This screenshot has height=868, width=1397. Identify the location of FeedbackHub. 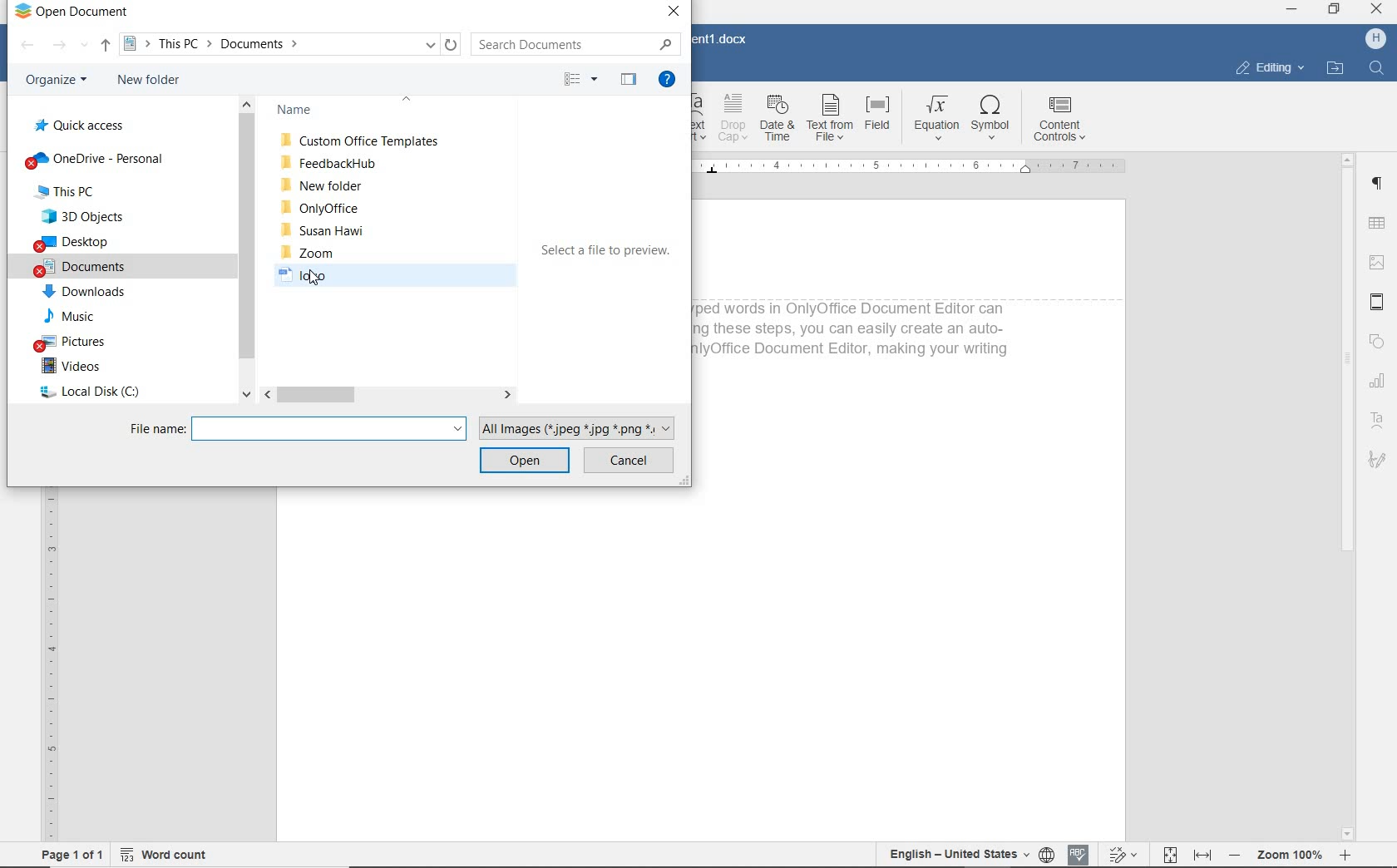
(328, 163).